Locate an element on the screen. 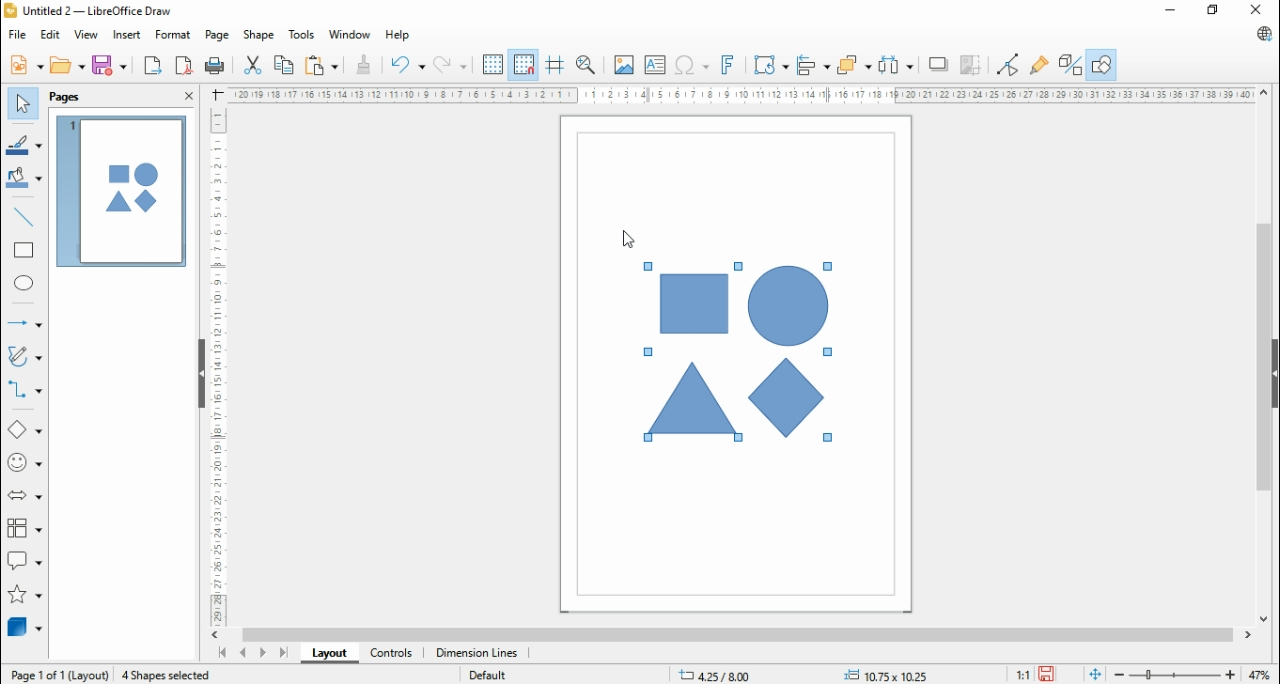 The height and width of the screenshot is (684, 1280). 4 shapes selected is located at coordinates (168, 675).